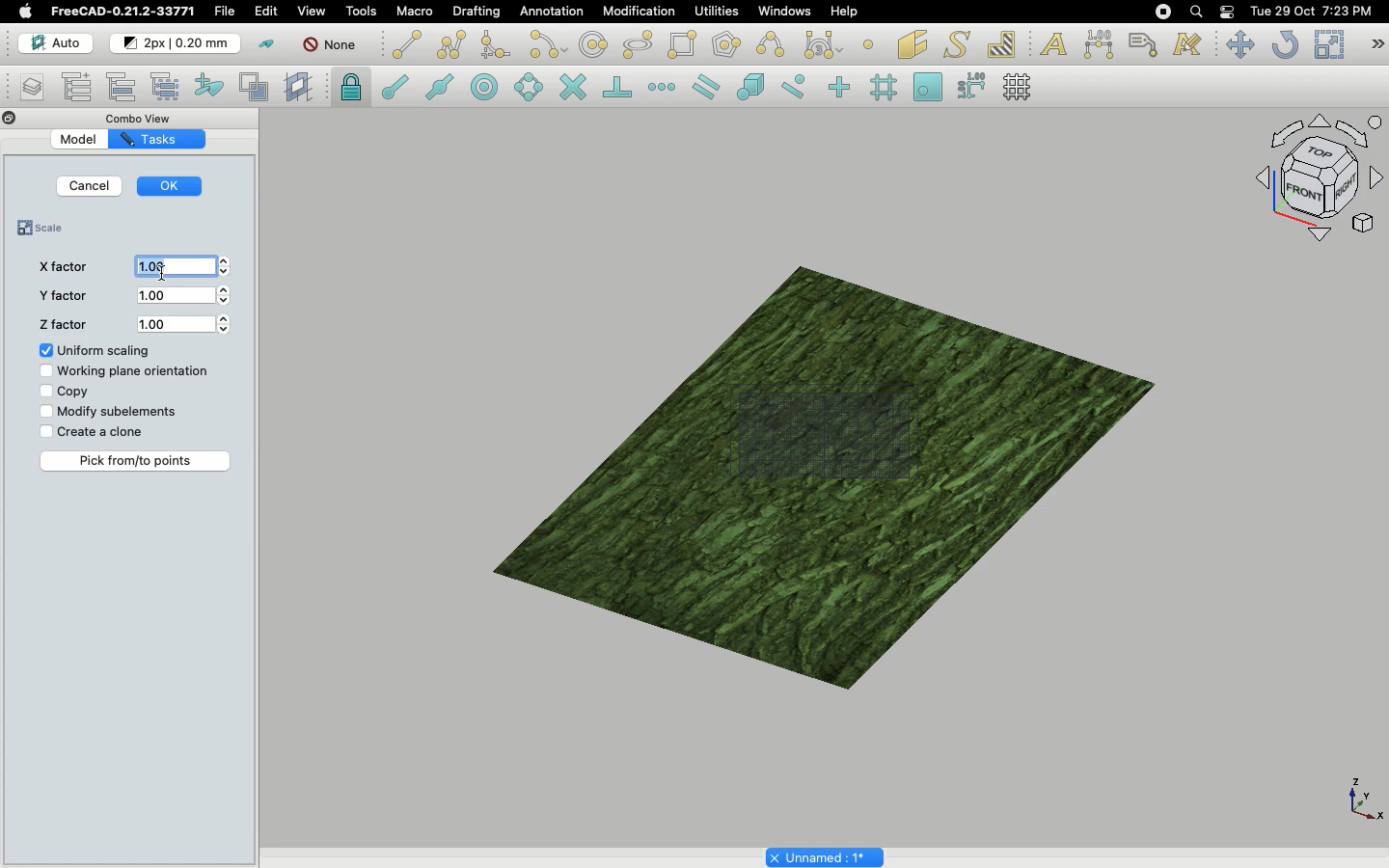 The image size is (1389, 868). I want to click on Fillet, so click(495, 45).